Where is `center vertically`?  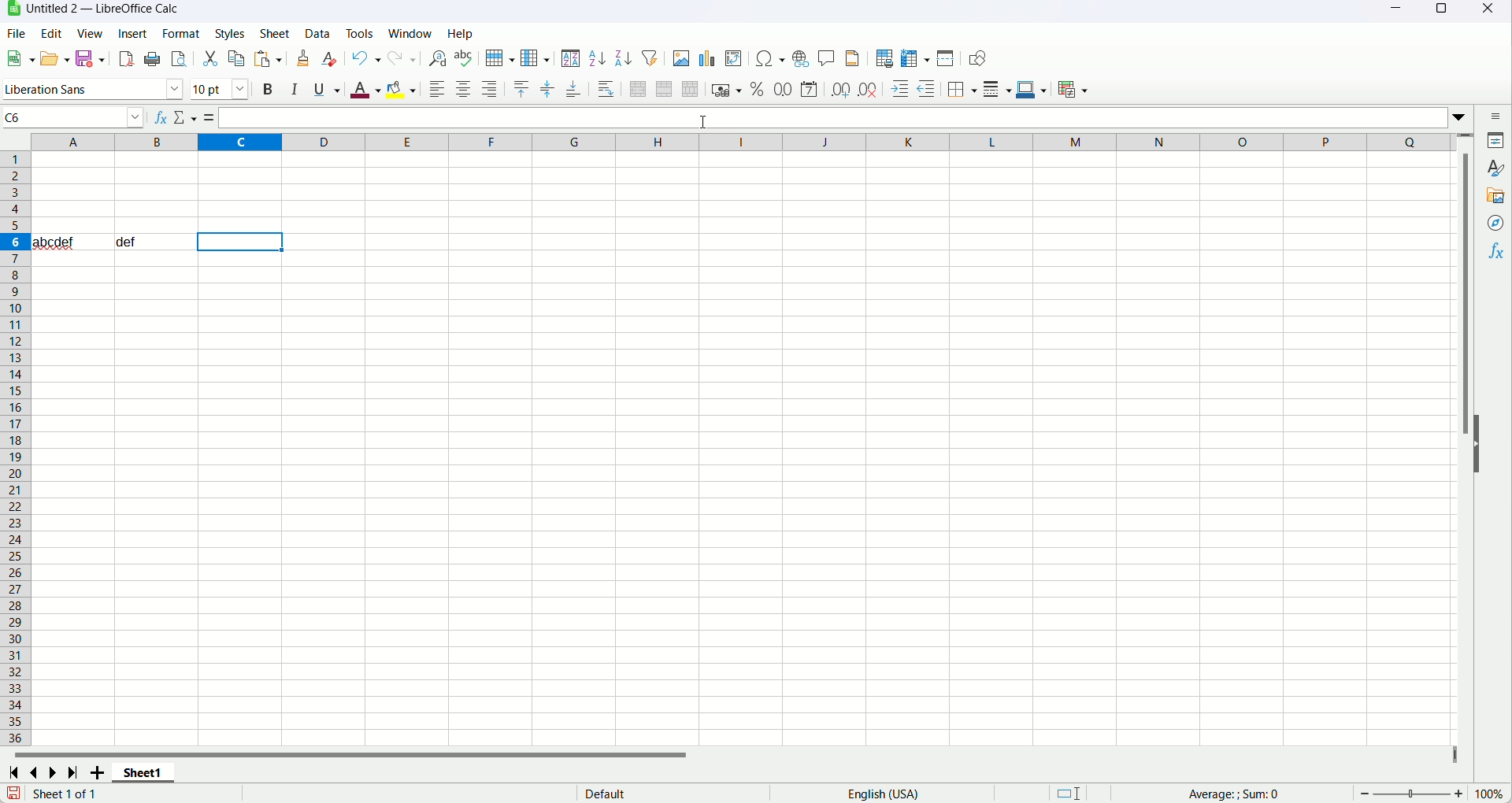
center vertically is located at coordinates (547, 90).